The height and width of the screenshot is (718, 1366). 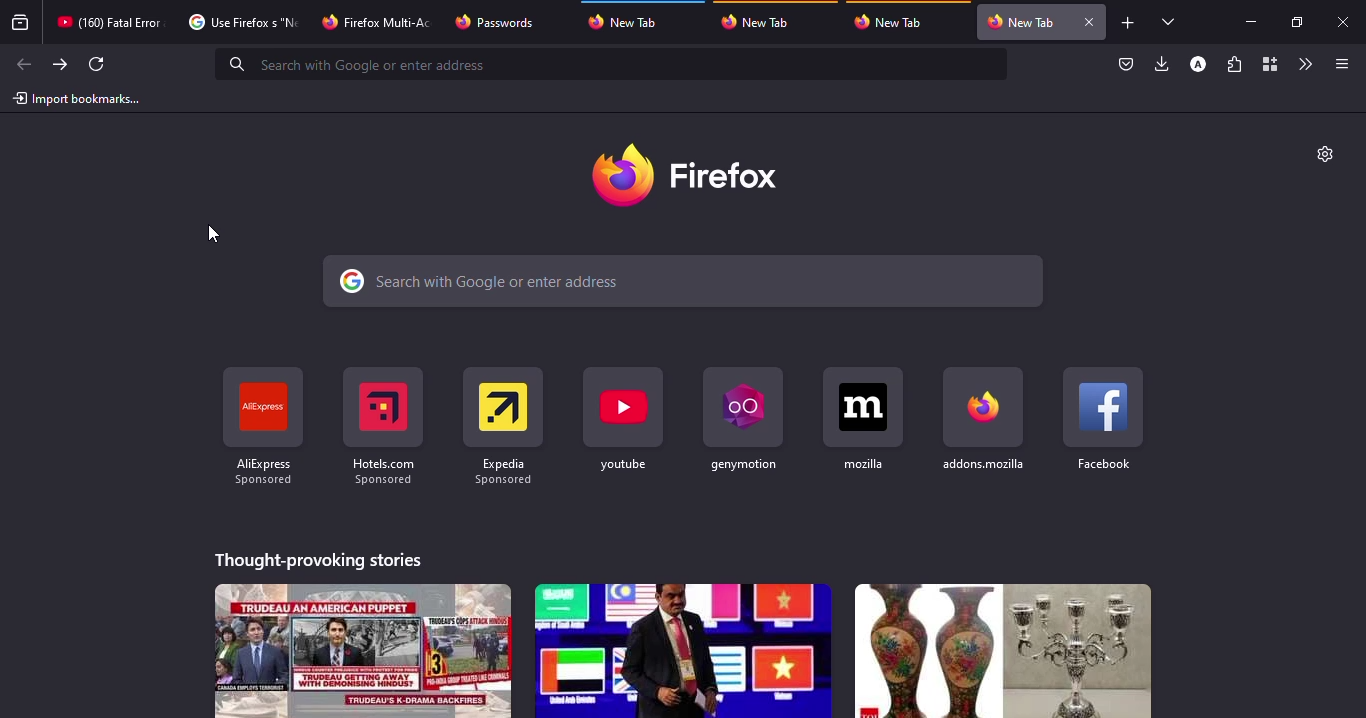 I want to click on refresh, so click(x=96, y=65).